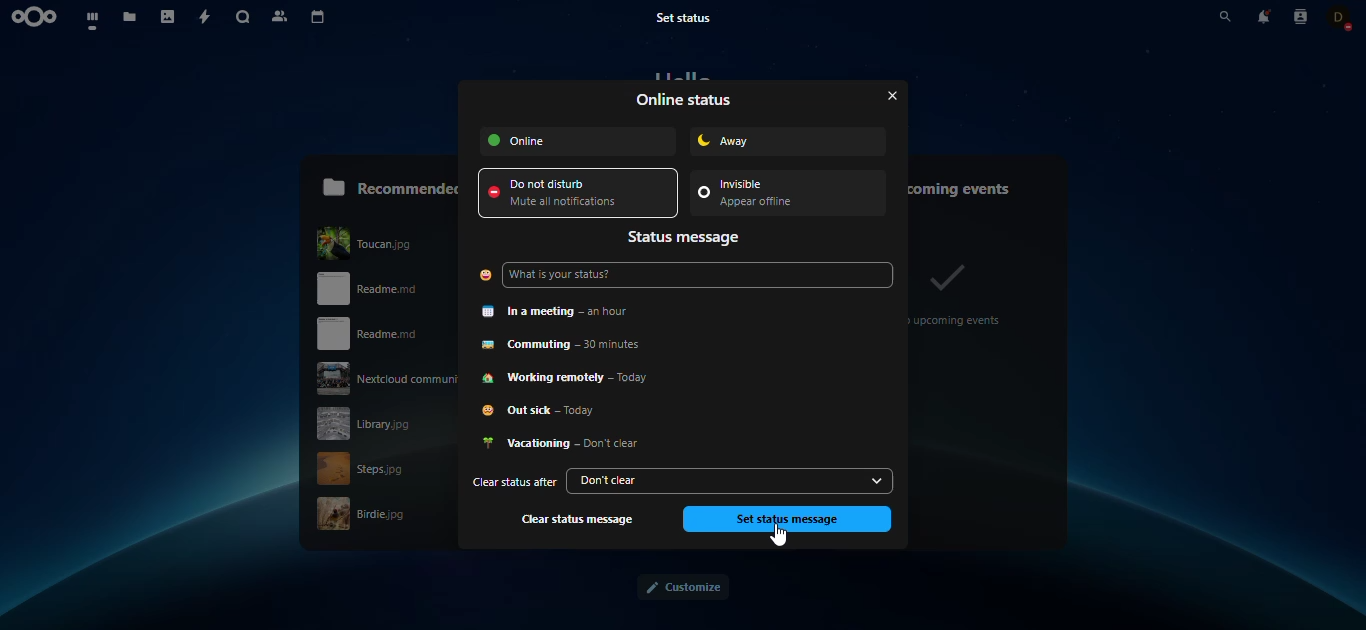  Describe the element at coordinates (687, 238) in the screenshot. I see `status message` at that location.